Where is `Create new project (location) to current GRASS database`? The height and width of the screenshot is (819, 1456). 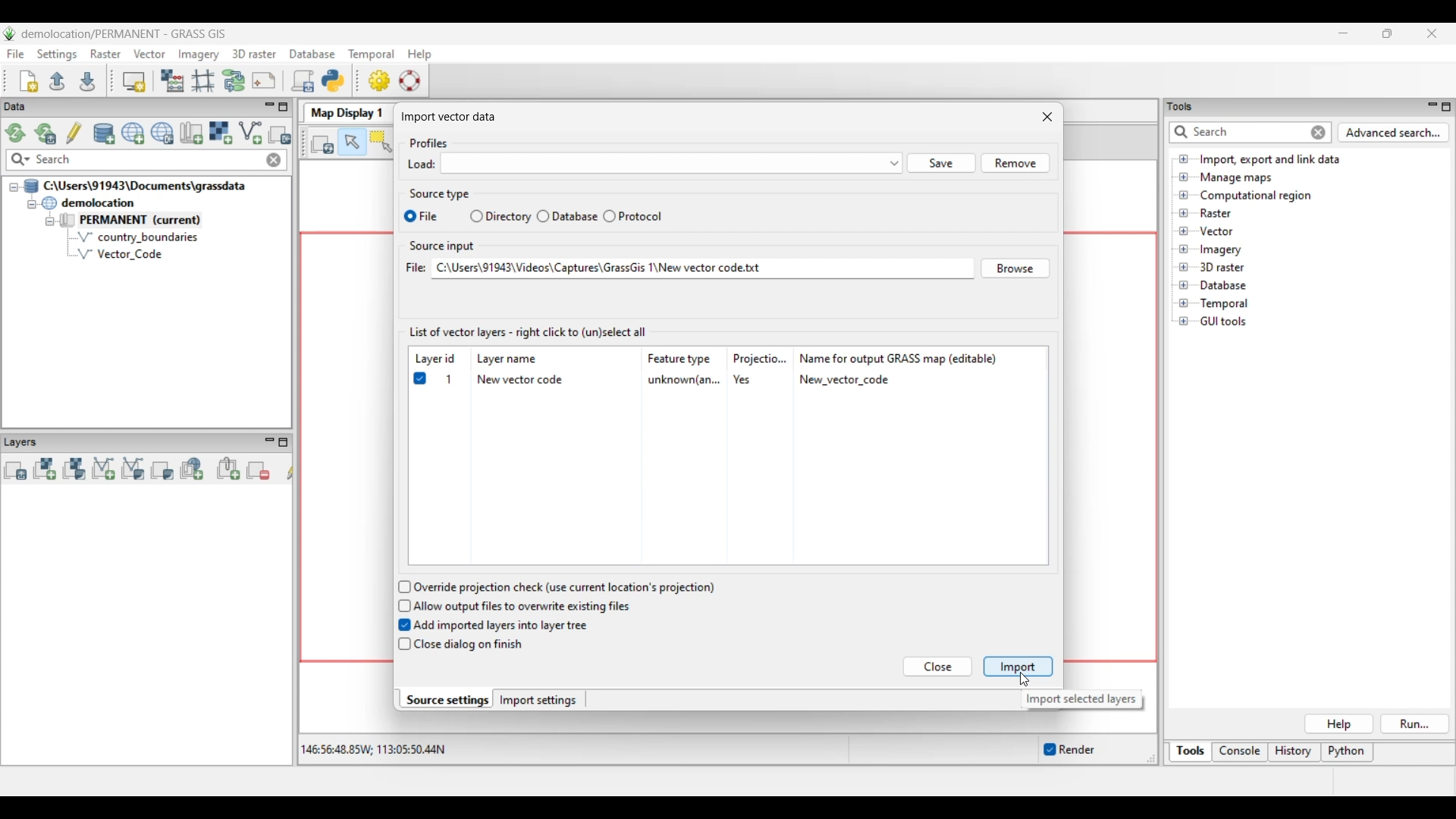 Create new project (location) to current GRASS database is located at coordinates (133, 133).